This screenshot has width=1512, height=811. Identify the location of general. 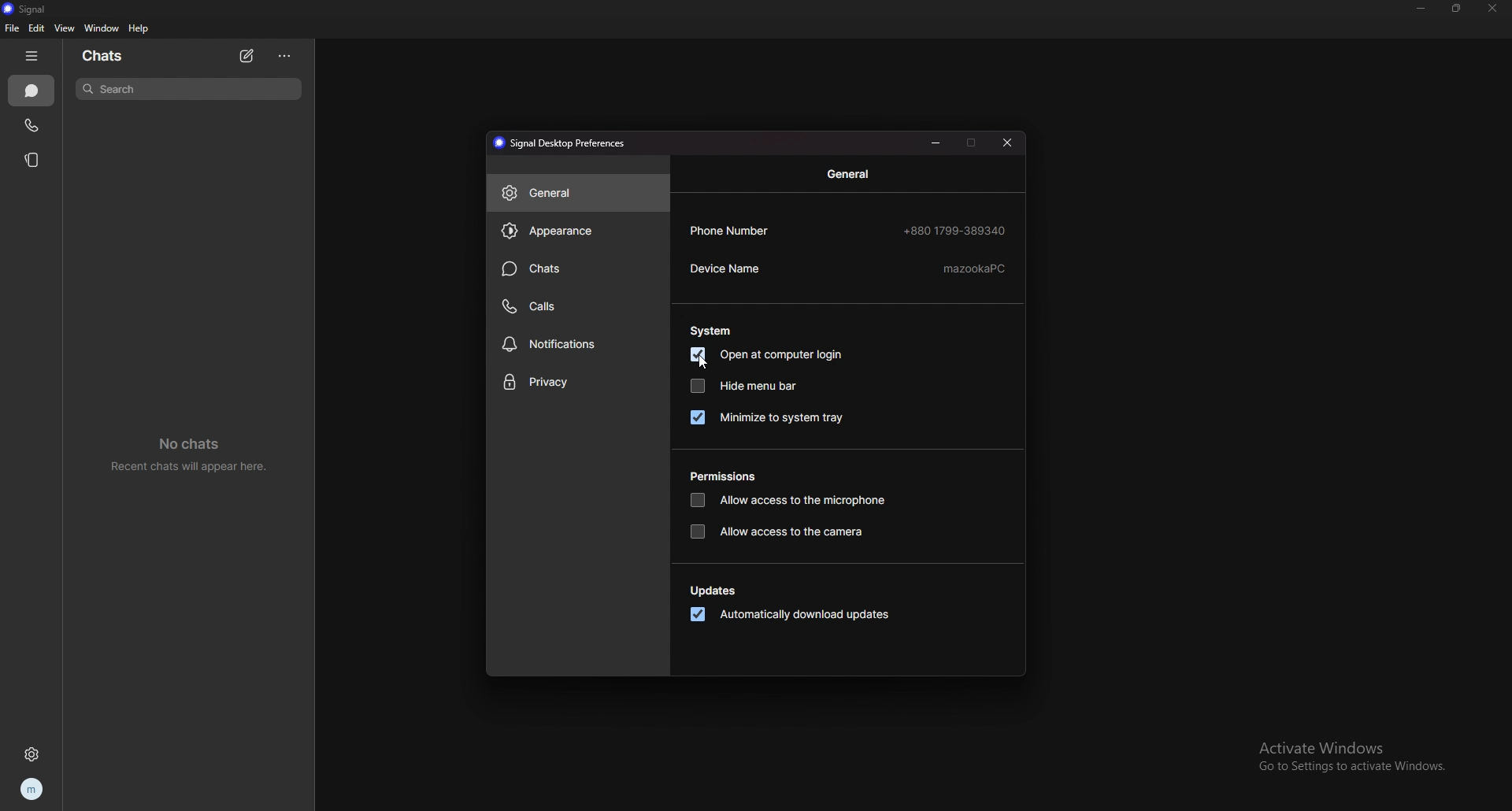
(578, 192).